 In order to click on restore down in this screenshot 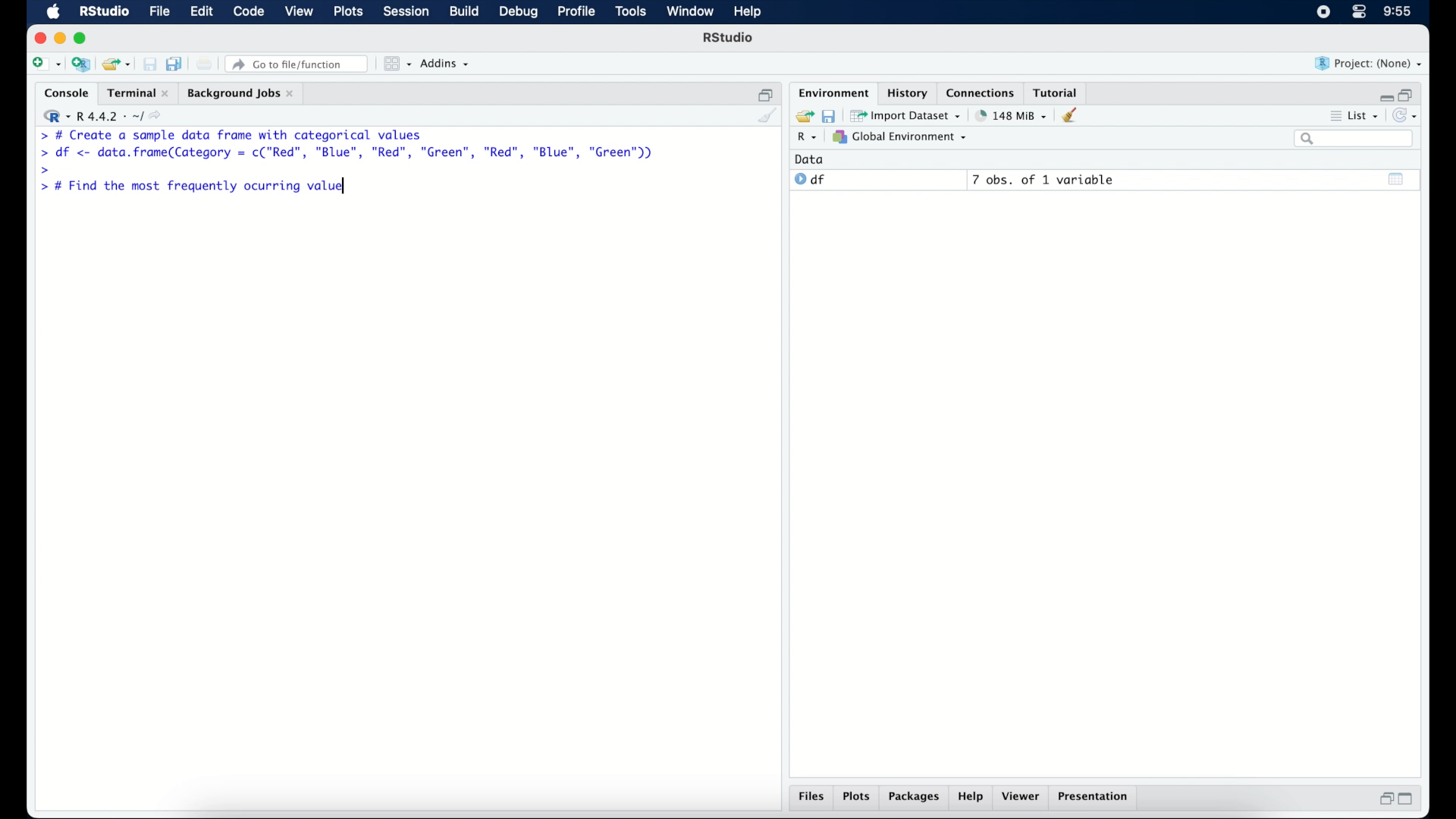, I will do `click(1410, 93)`.